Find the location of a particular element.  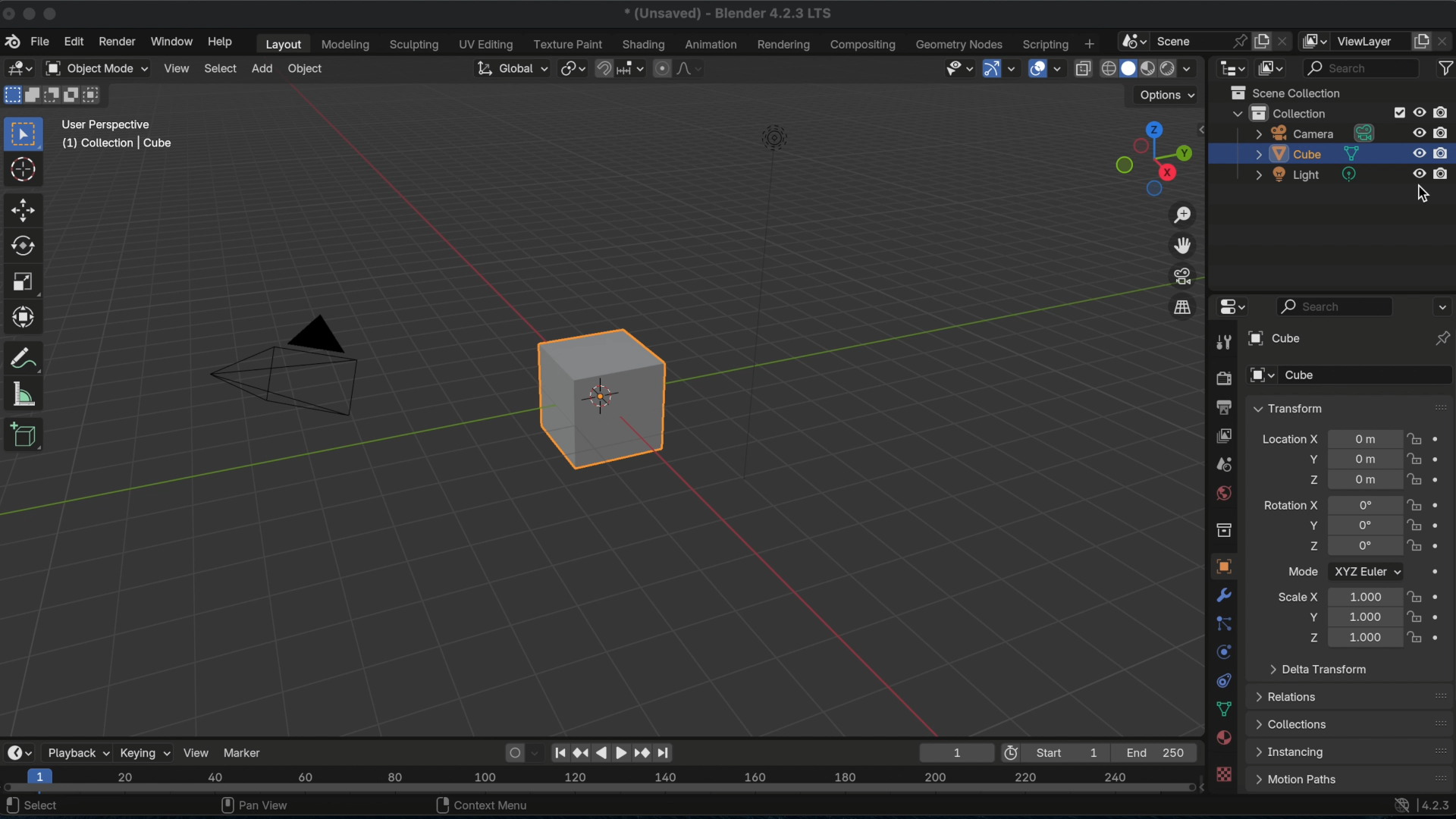

view is located at coordinates (179, 67).